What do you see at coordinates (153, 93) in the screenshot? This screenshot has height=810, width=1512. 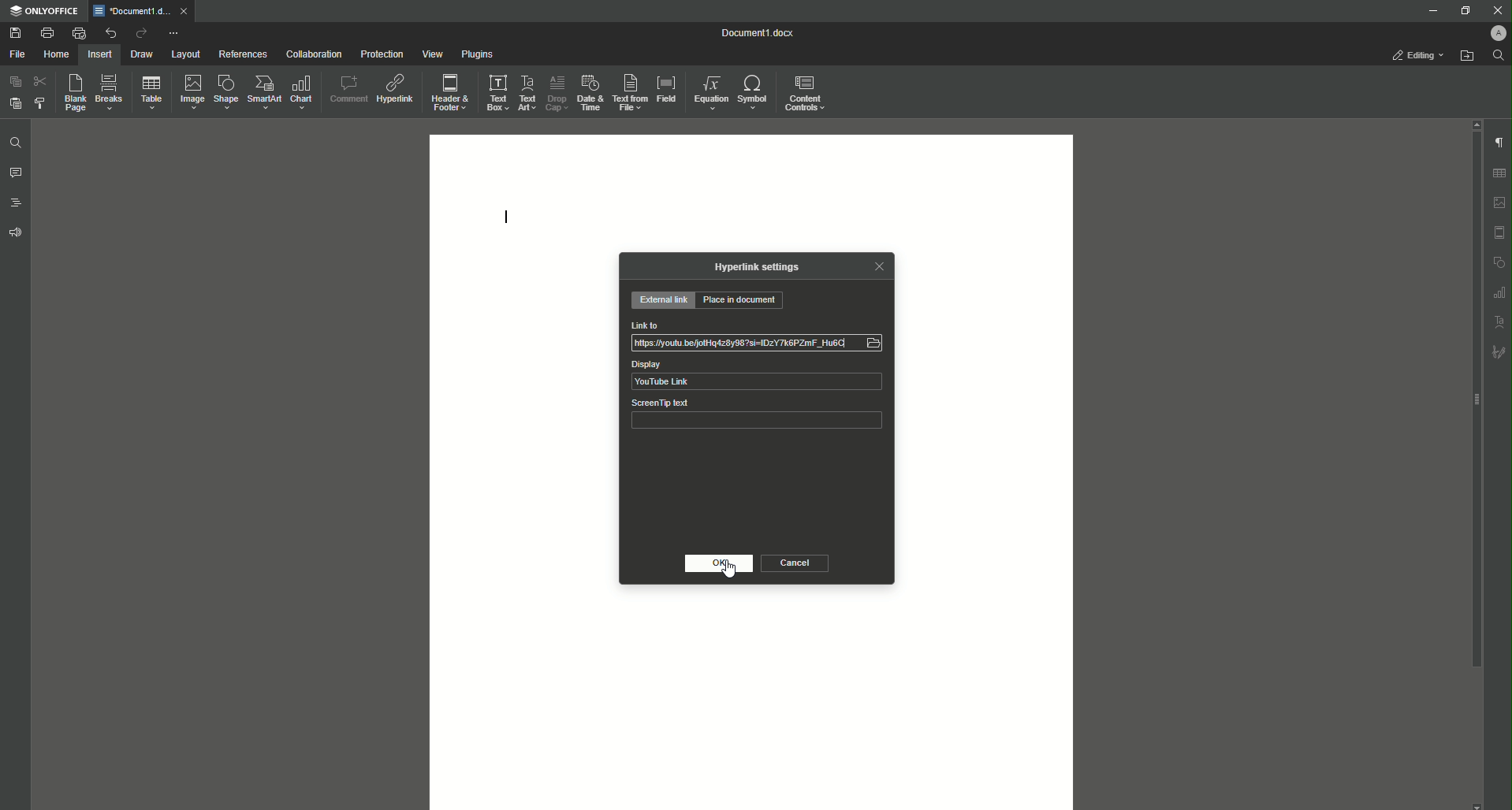 I see `Table` at bounding box center [153, 93].